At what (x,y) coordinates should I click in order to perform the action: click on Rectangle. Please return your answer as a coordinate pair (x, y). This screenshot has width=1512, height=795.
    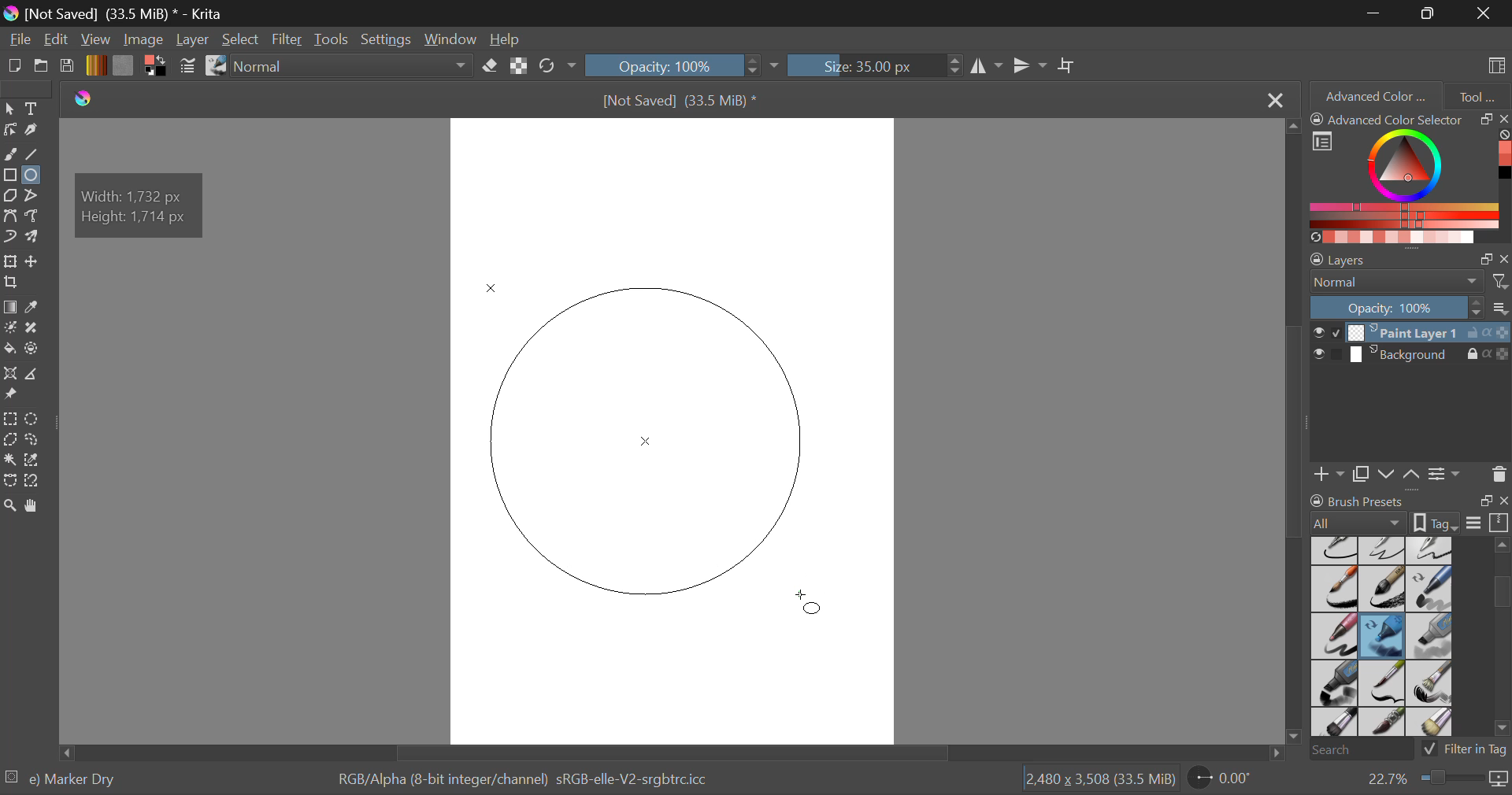
    Looking at the image, I should click on (9, 176).